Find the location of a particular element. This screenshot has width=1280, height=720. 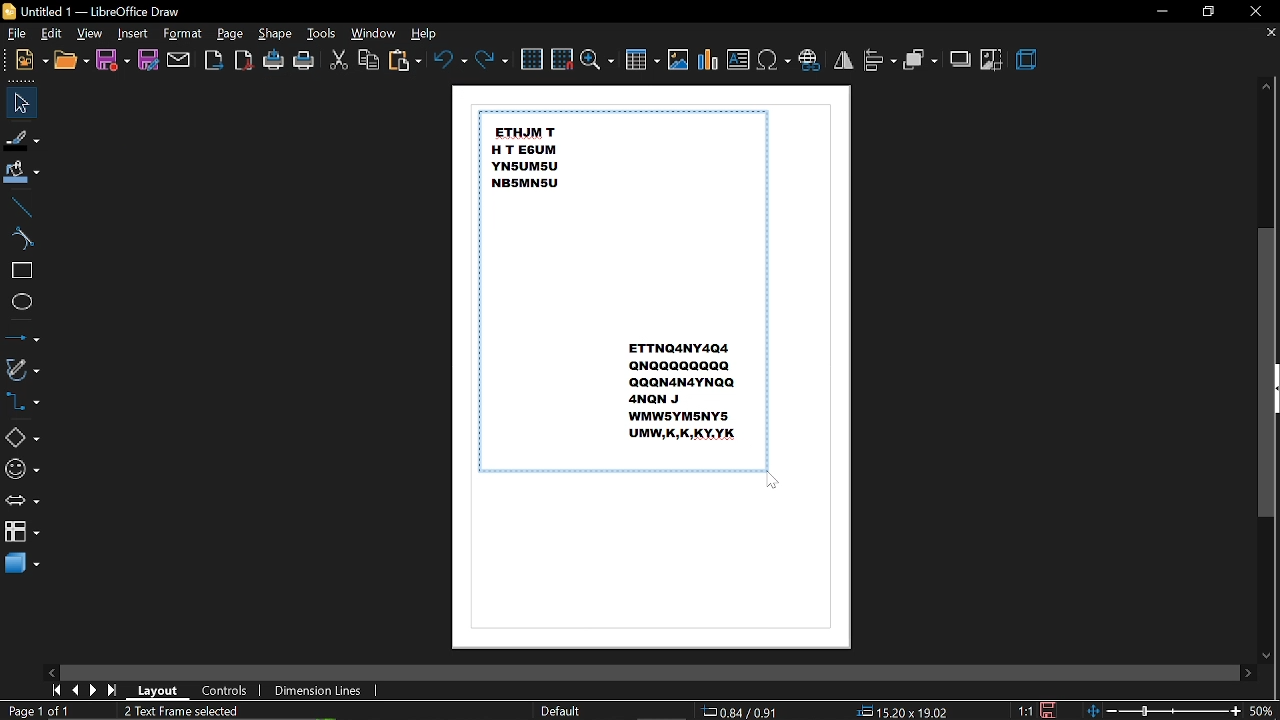

change zoom is located at coordinates (1164, 712).